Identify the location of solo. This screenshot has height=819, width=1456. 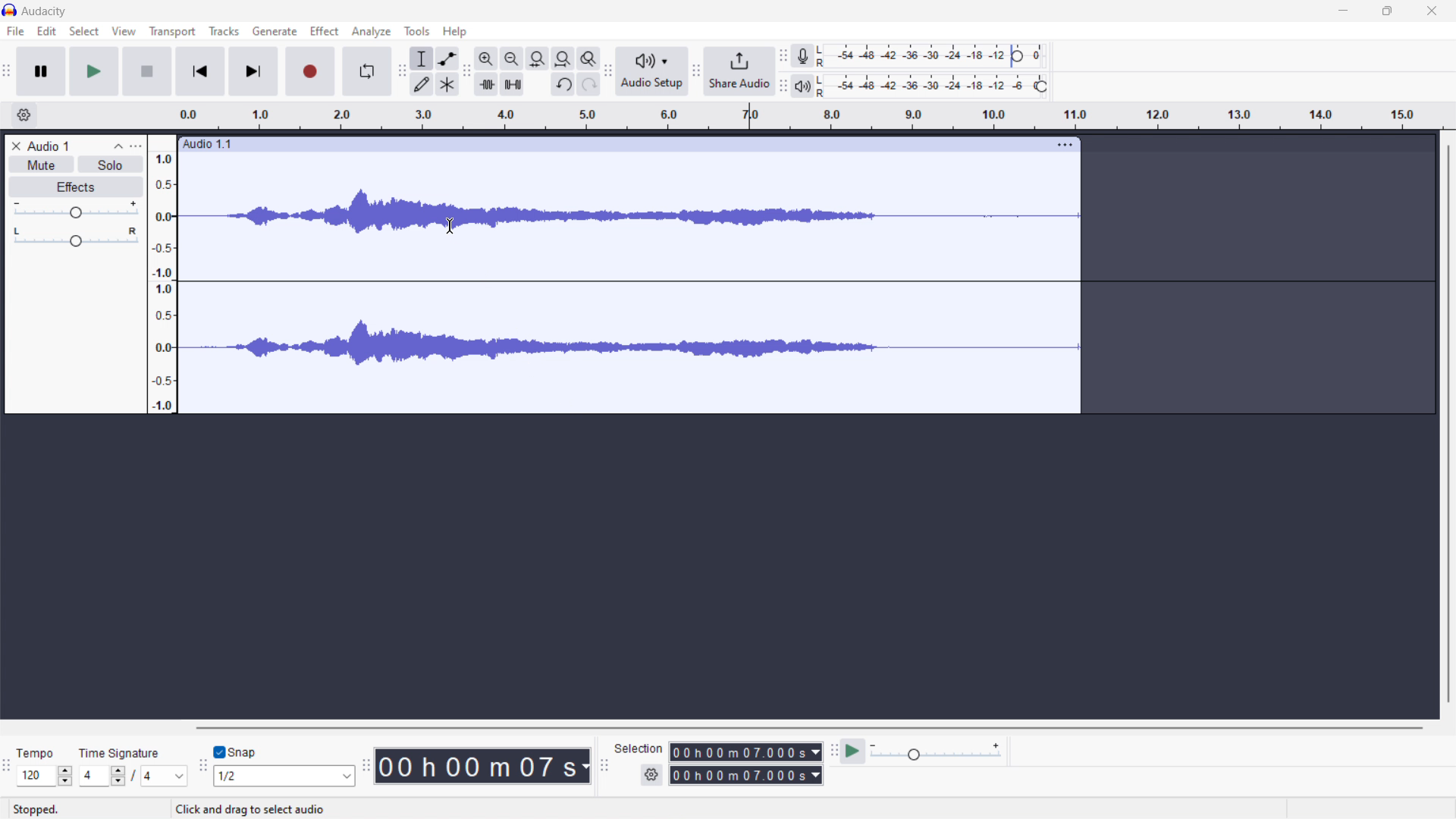
(108, 165).